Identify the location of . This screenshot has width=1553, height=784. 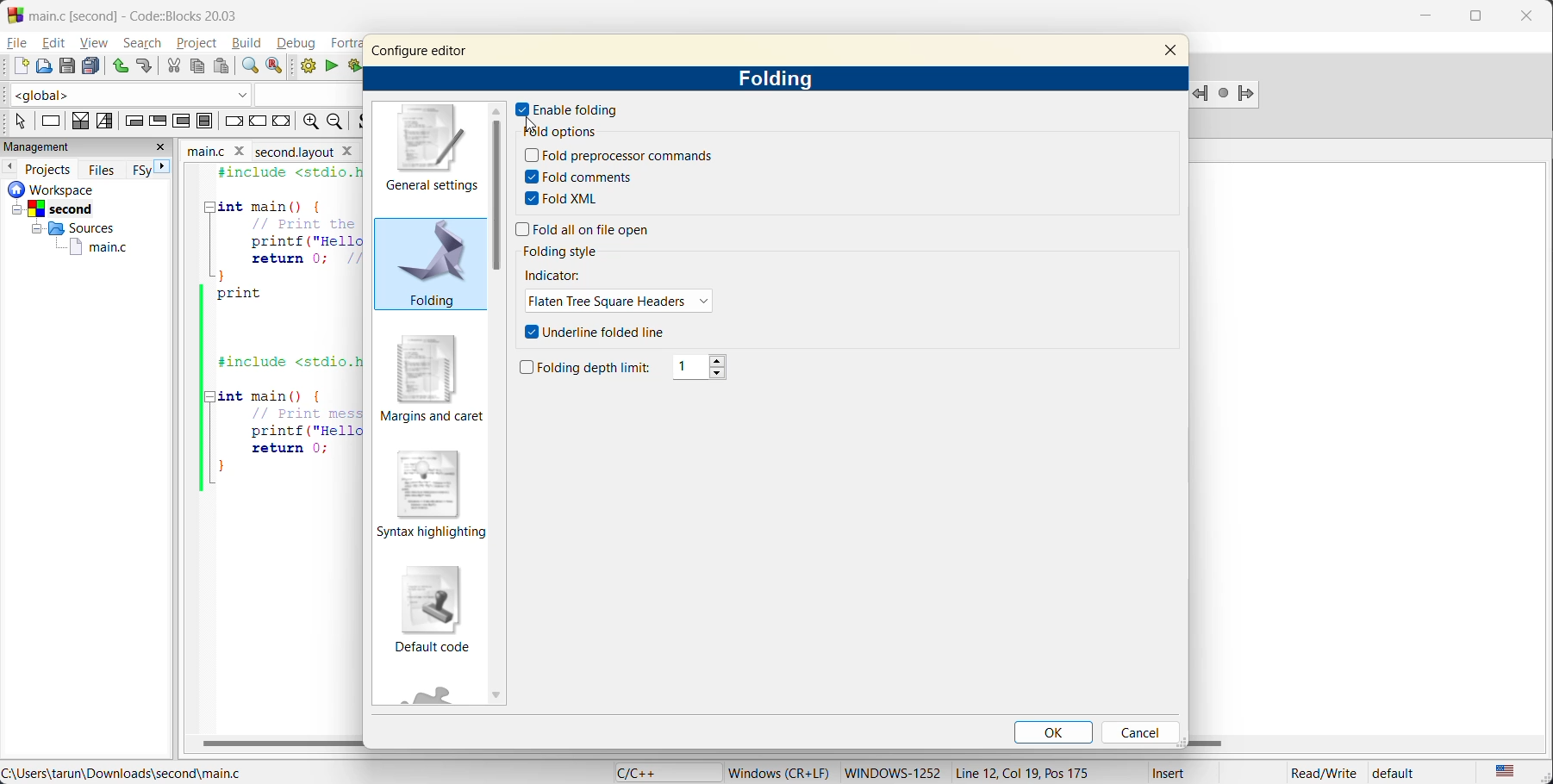
(52, 208).